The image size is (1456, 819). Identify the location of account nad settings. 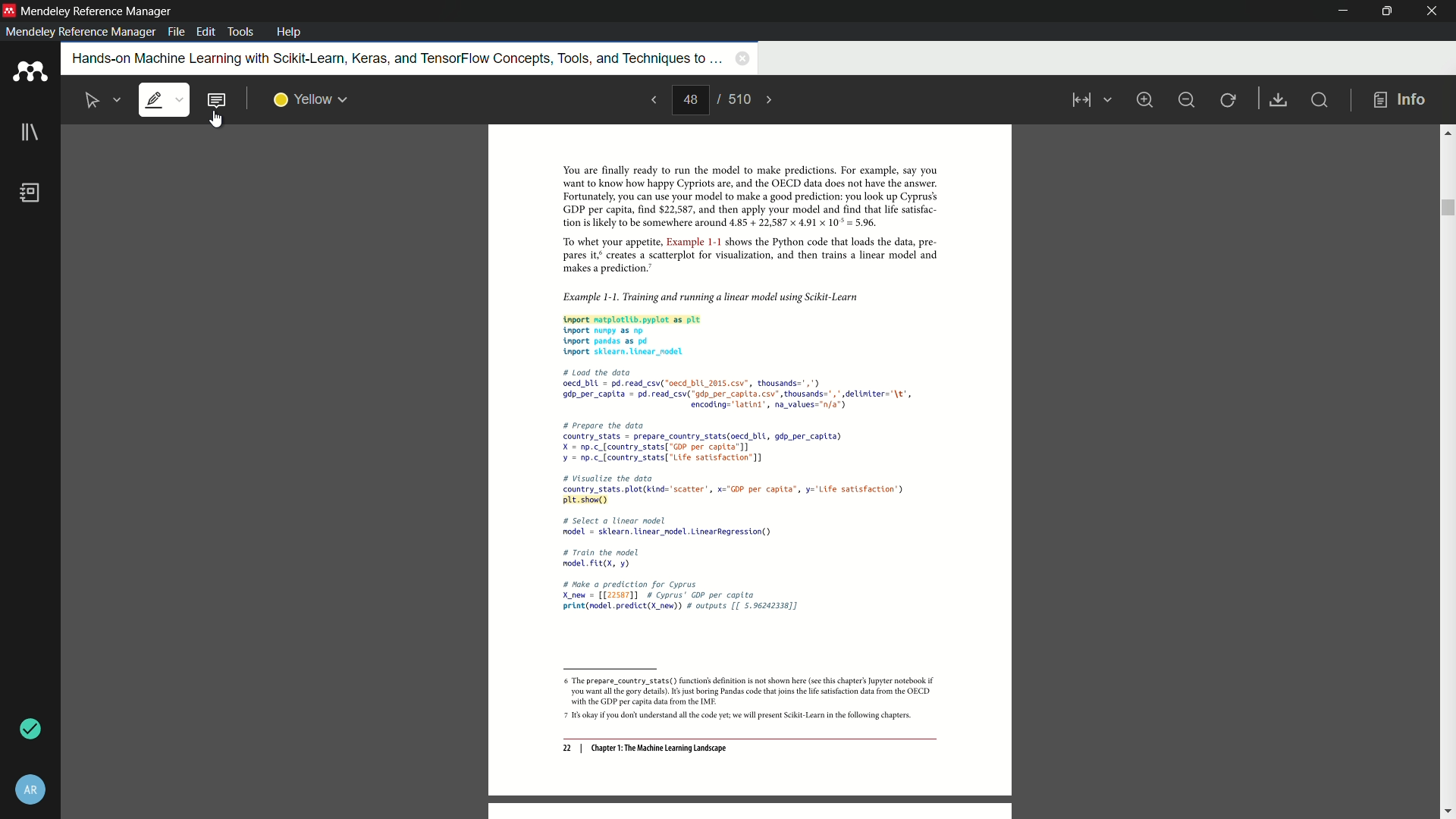
(29, 791).